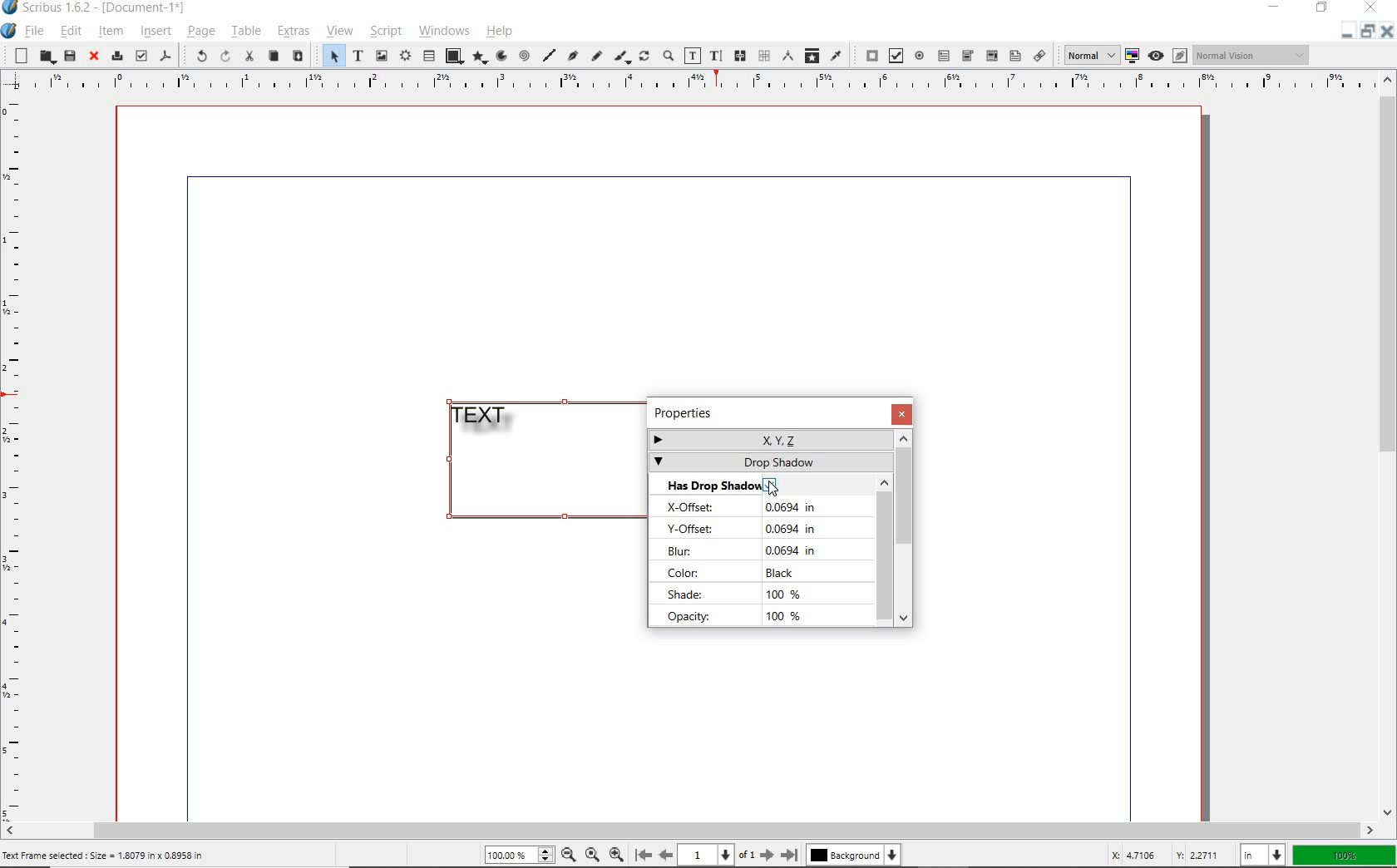 Image resolution: width=1397 pixels, height=868 pixels. What do you see at coordinates (572, 55) in the screenshot?
I see `Bezier curve` at bounding box center [572, 55].